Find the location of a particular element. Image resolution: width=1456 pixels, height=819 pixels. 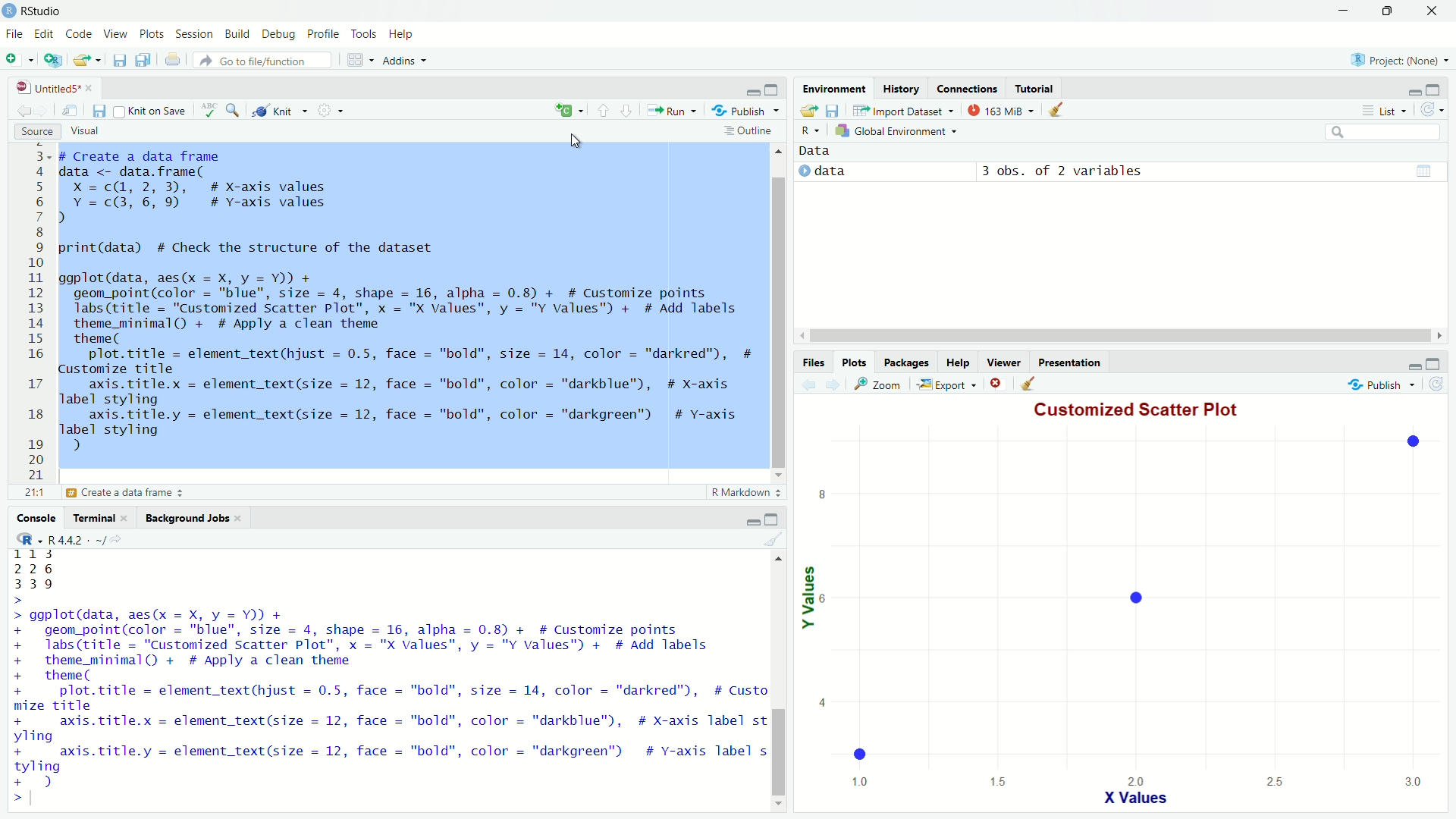

Session is located at coordinates (196, 36).